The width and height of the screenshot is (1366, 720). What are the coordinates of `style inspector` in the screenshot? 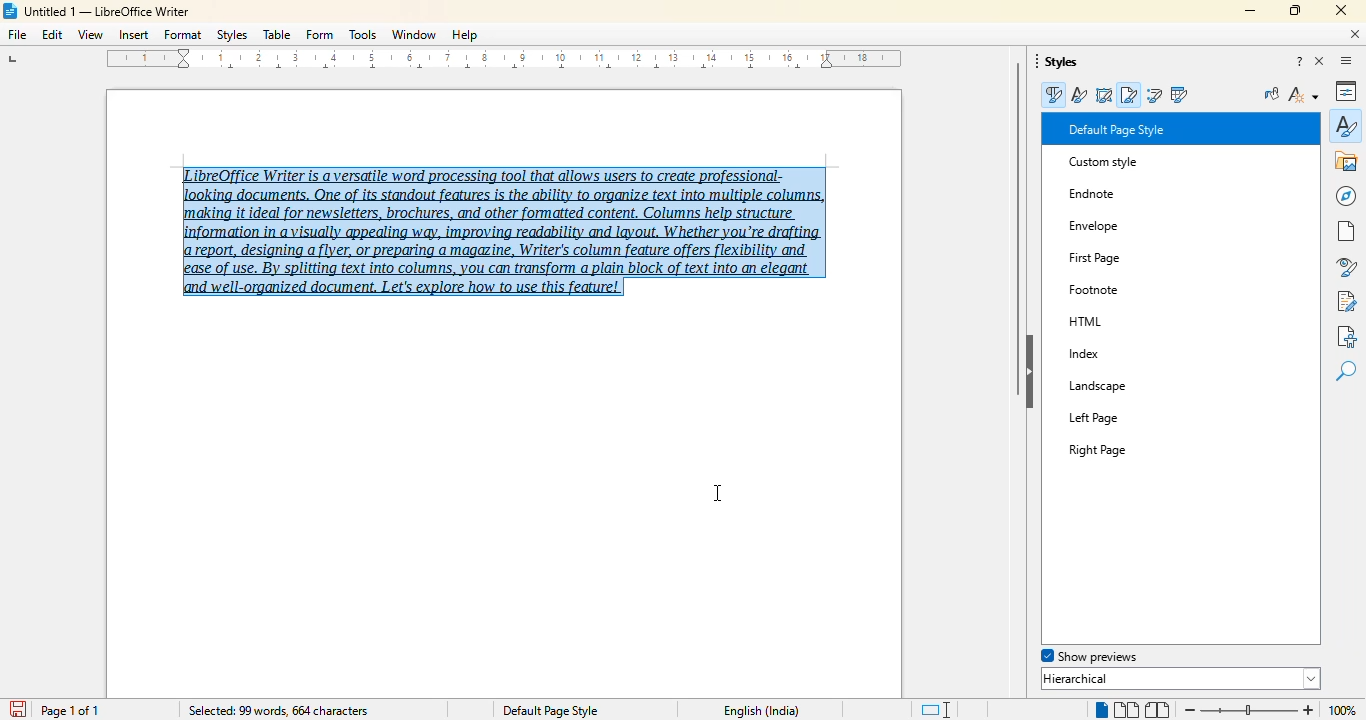 It's located at (1340, 267).